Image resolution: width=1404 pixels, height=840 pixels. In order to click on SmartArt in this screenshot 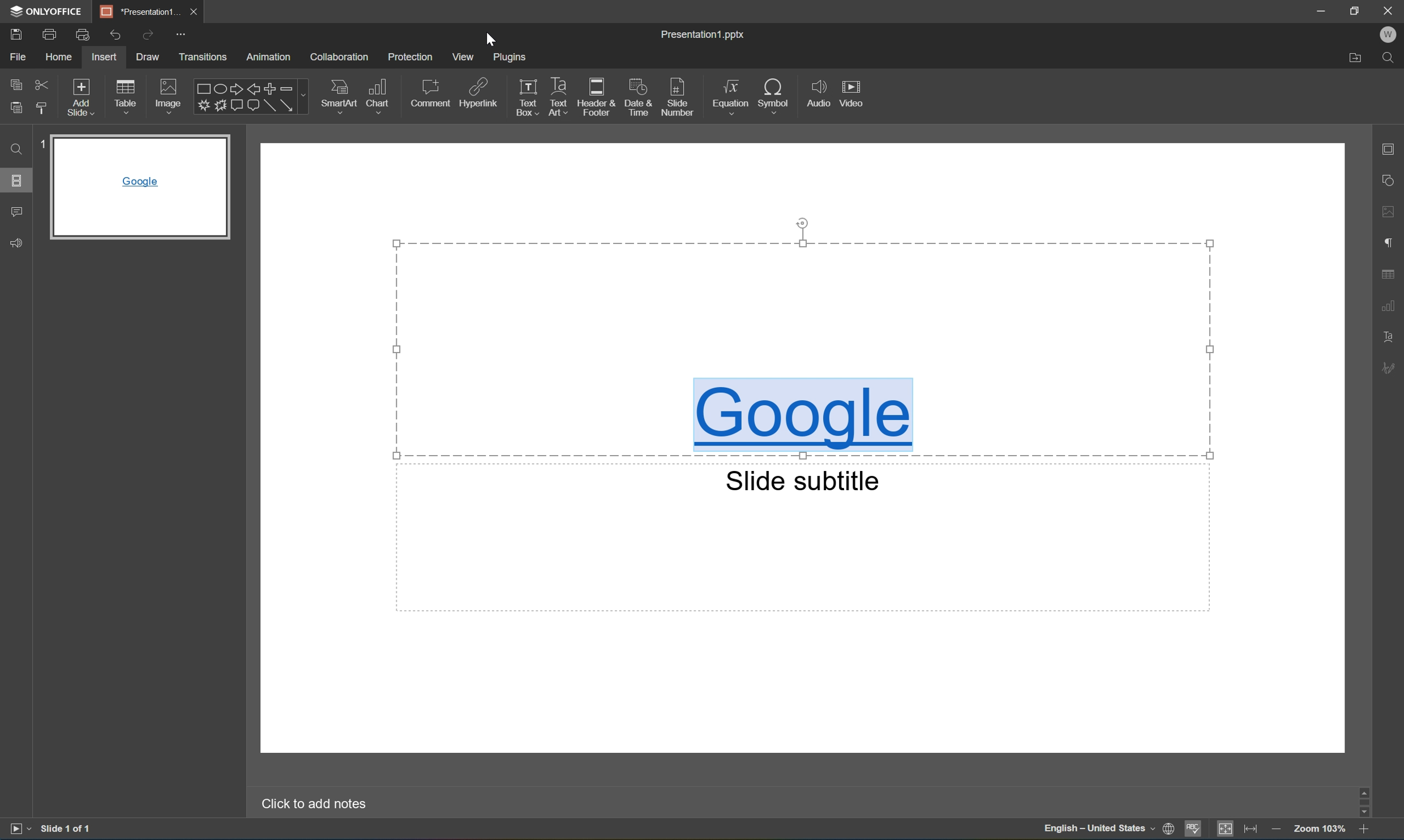, I will do `click(340, 97)`.